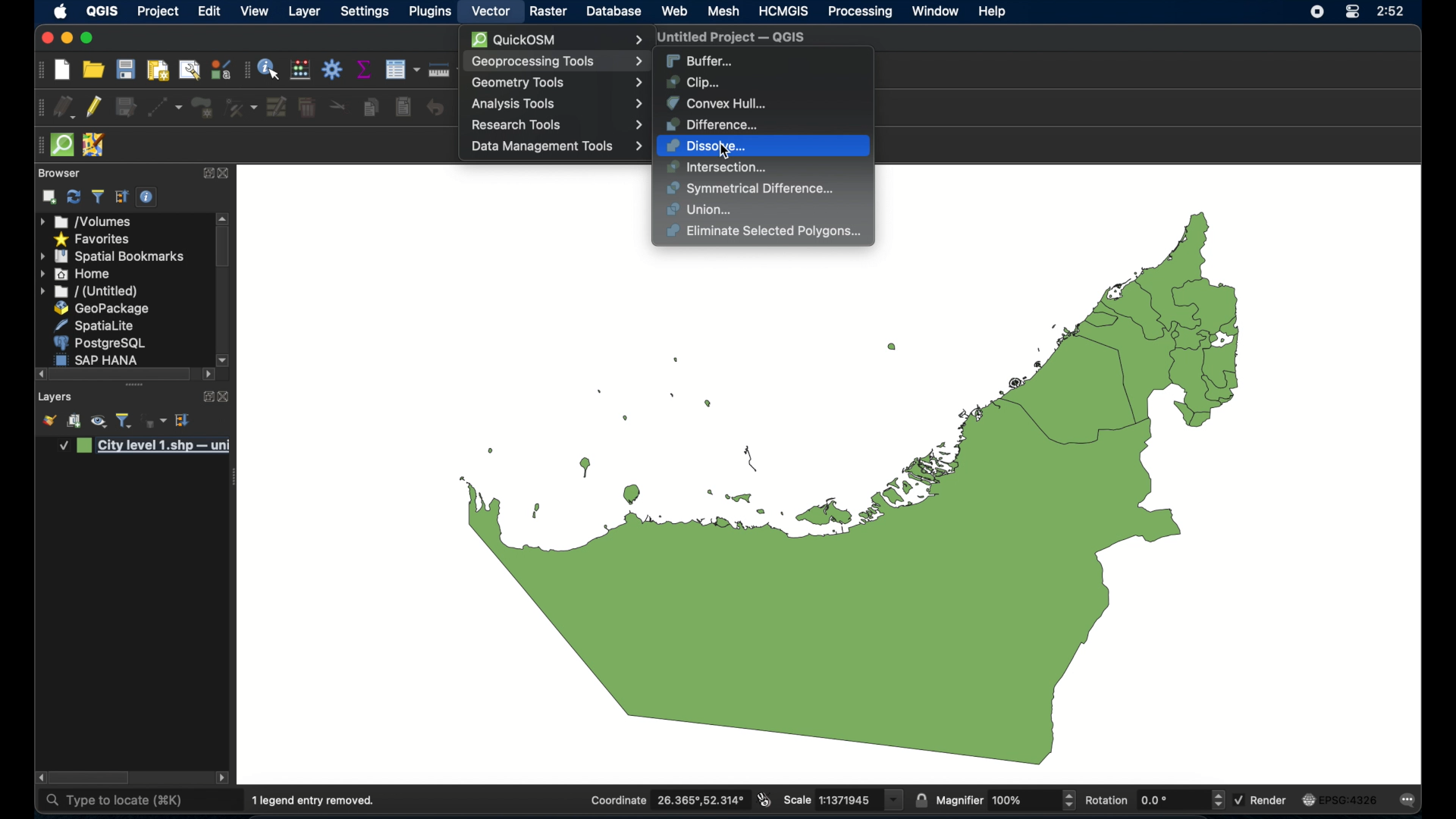 The height and width of the screenshot is (819, 1456). What do you see at coordinates (95, 145) in the screenshot?
I see `jsom remote` at bounding box center [95, 145].